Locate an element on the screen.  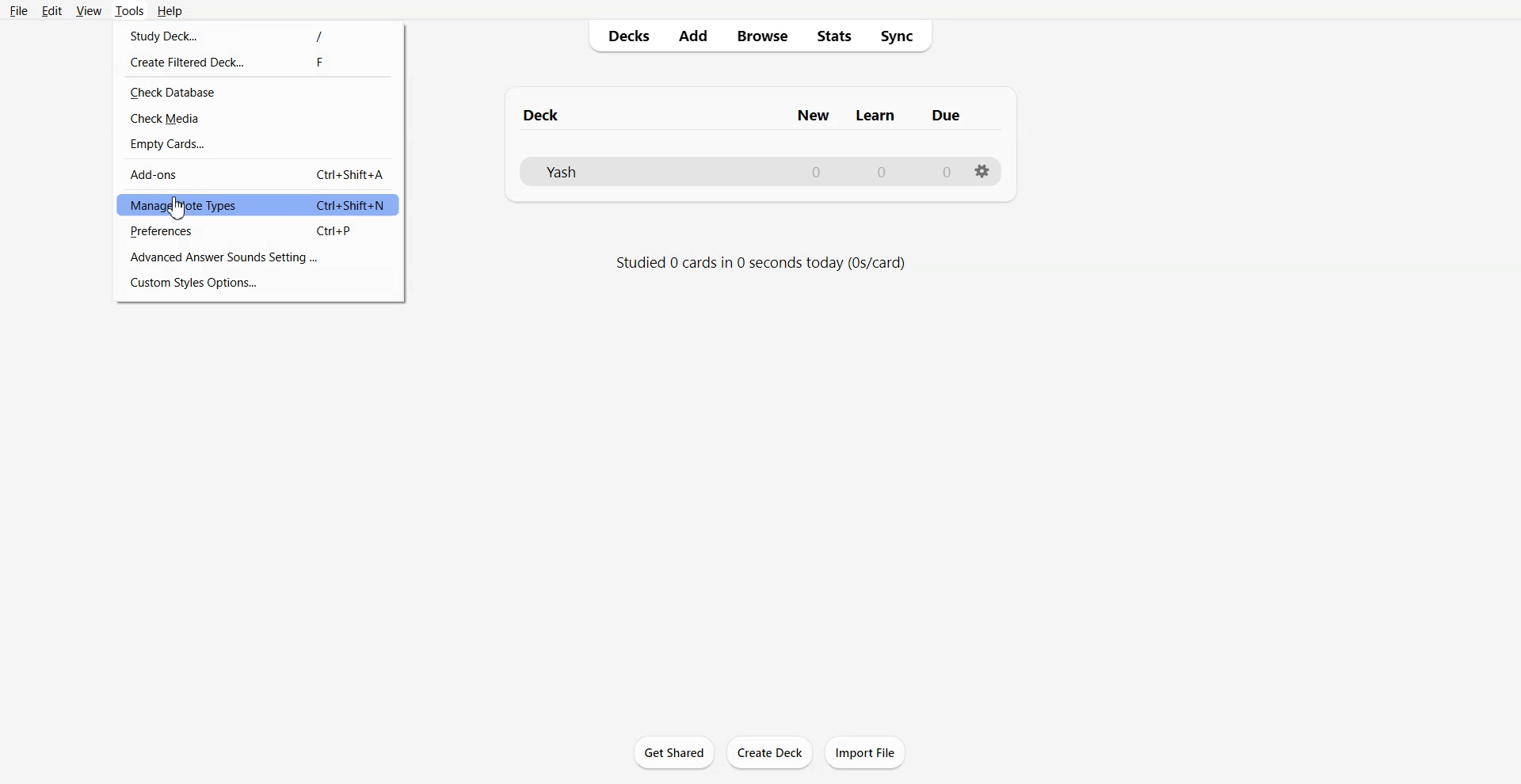
Custom Styles Options is located at coordinates (253, 281).